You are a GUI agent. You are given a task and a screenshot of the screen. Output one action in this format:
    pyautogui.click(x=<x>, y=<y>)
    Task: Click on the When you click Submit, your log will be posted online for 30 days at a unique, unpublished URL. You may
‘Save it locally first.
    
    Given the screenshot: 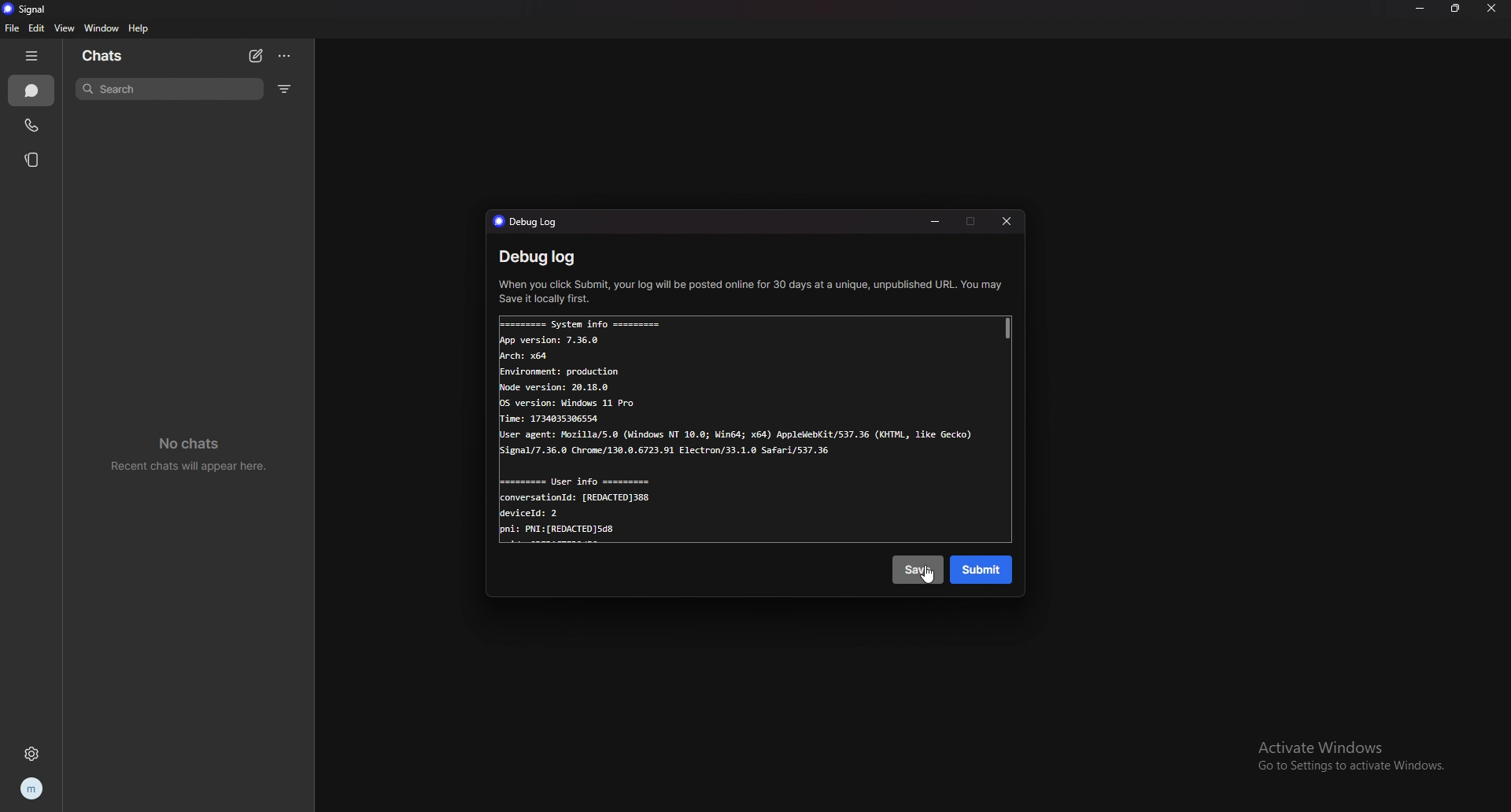 What is the action you would take?
    pyautogui.click(x=752, y=291)
    